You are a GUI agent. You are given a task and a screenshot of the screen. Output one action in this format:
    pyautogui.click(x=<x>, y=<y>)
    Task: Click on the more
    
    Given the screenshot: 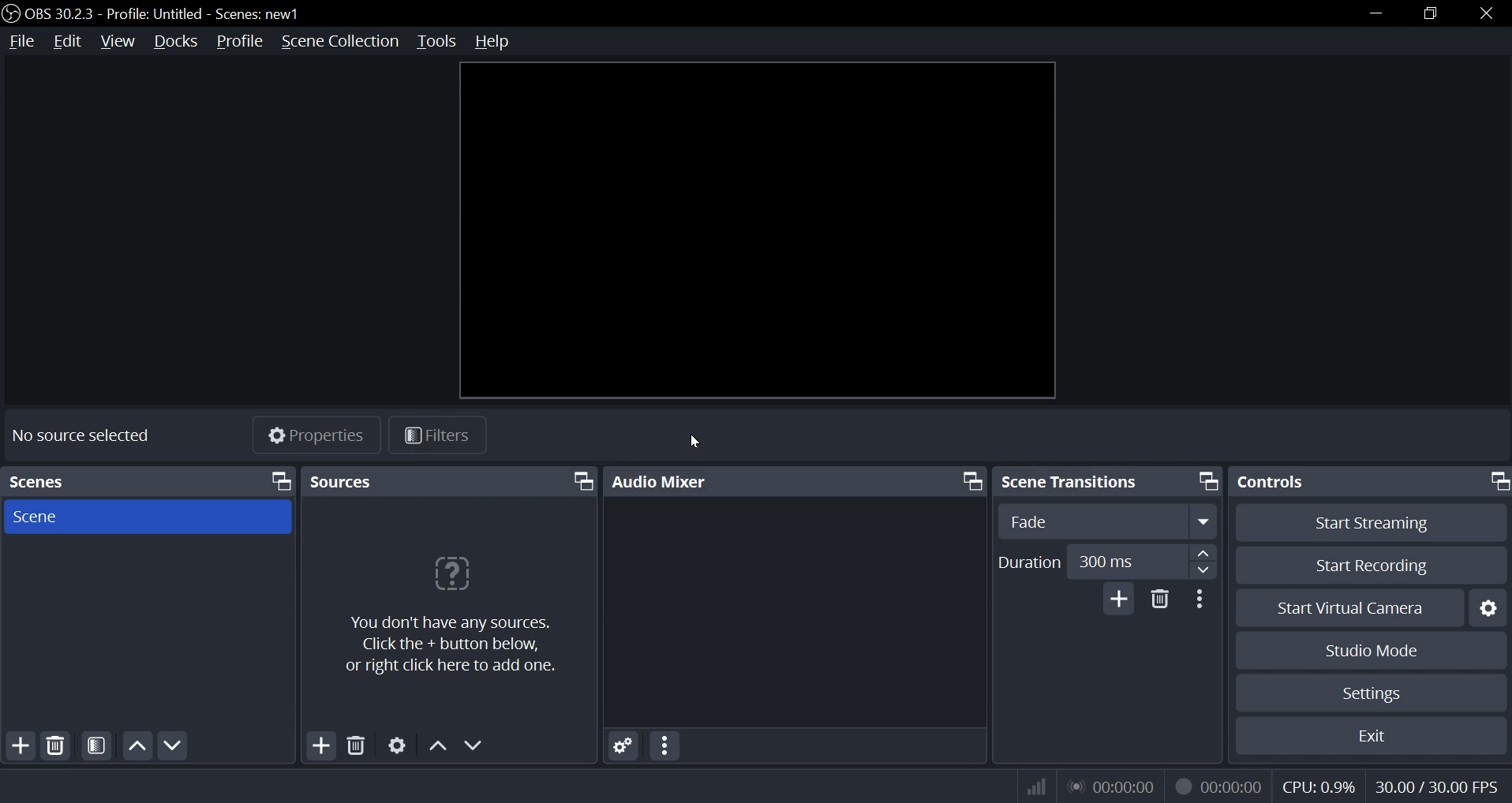 What is the action you would take?
    pyautogui.click(x=666, y=745)
    